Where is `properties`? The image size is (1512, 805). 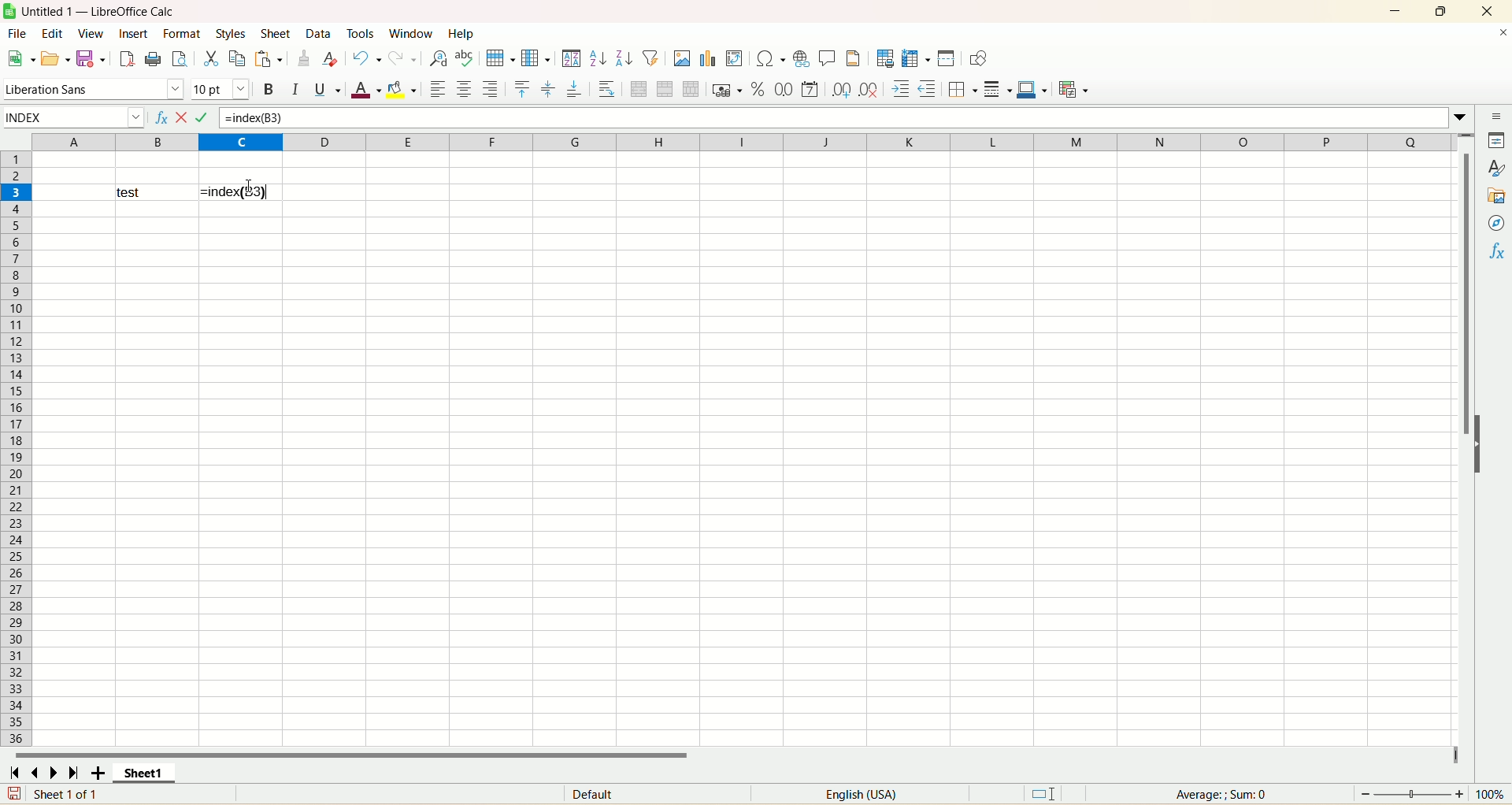
properties is located at coordinates (1495, 140).